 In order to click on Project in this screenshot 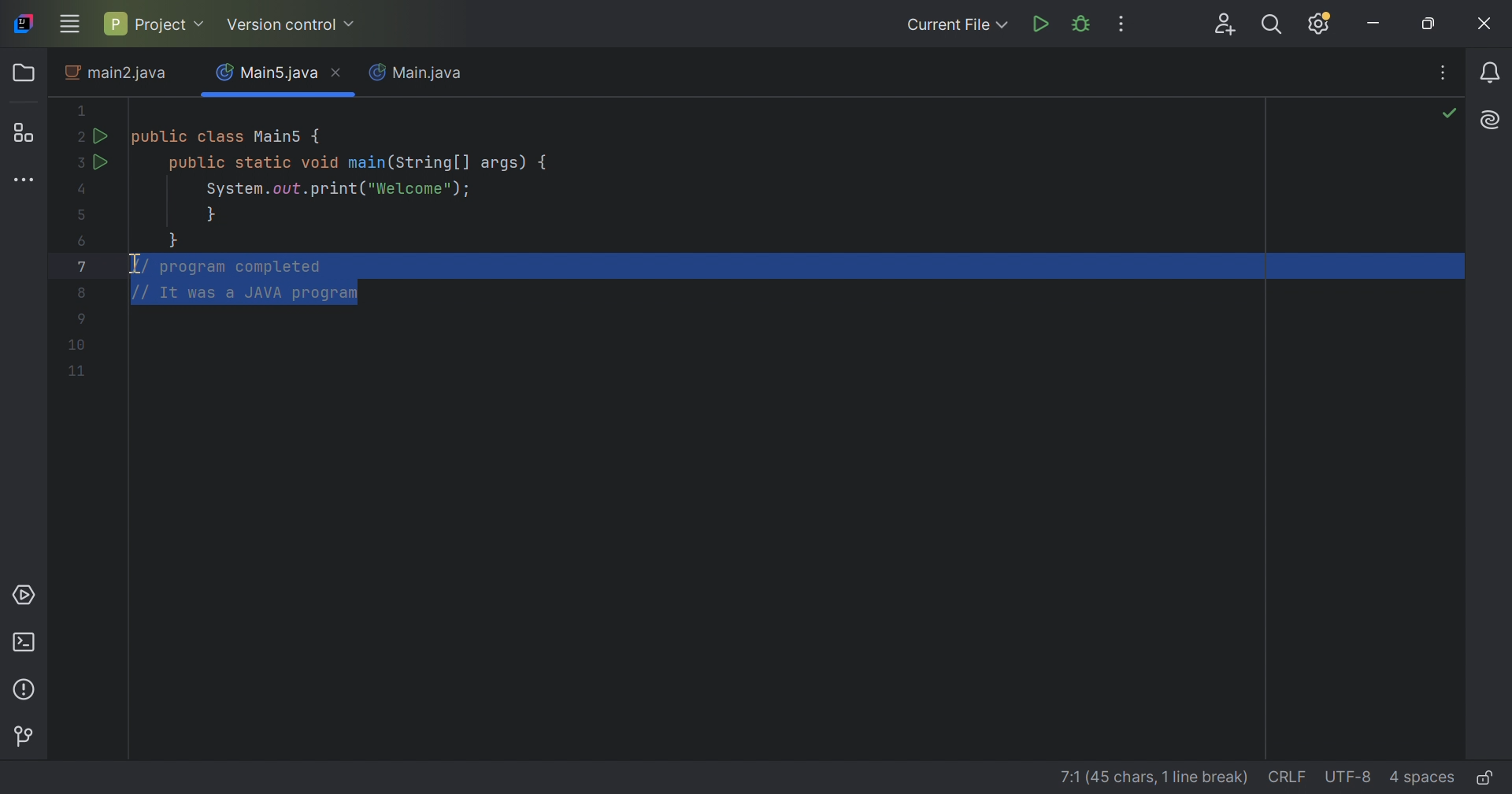, I will do `click(156, 21)`.